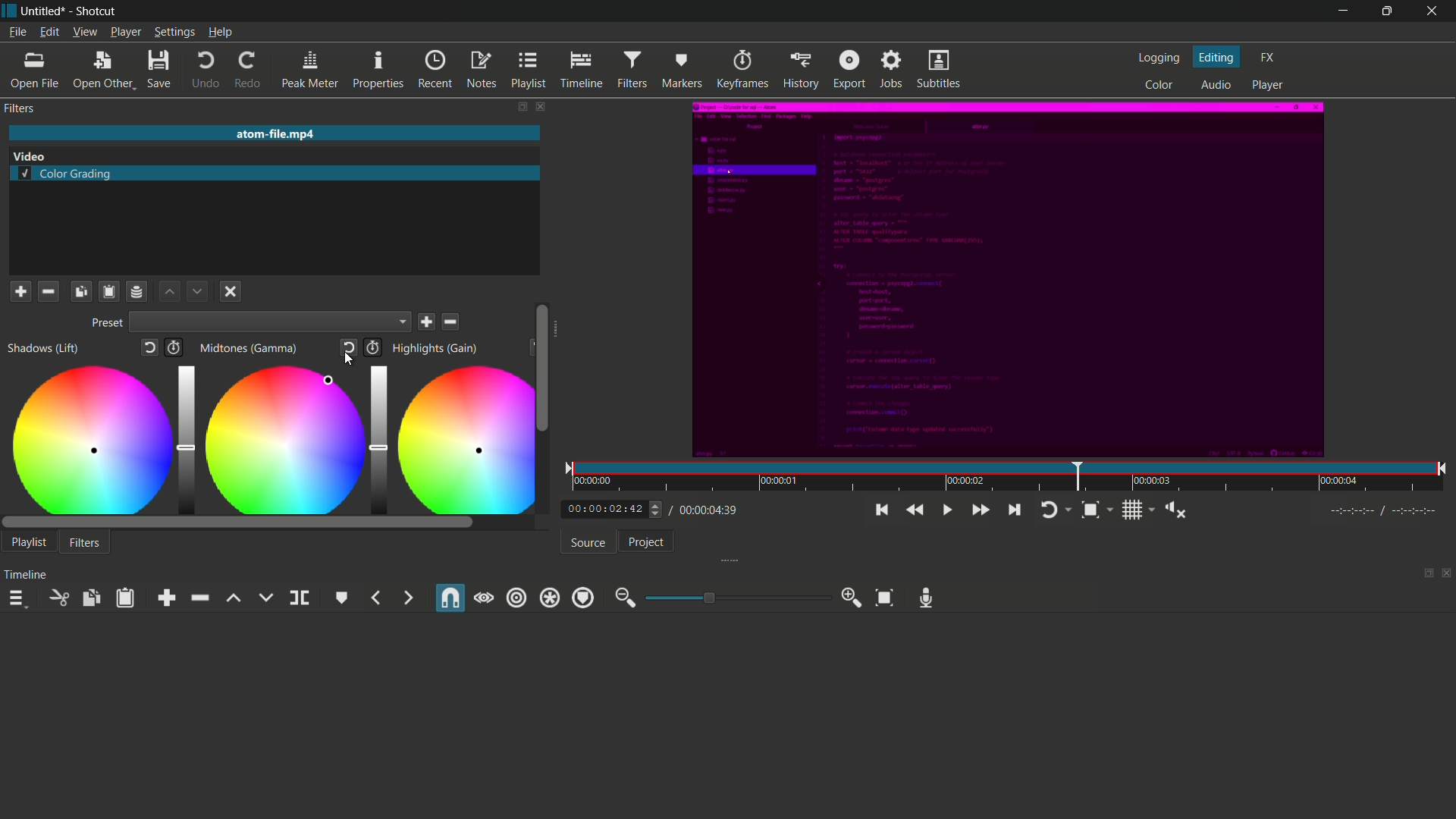 This screenshot has height=819, width=1456. Describe the element at coordinates (538, 106) in the screenshot. I see `close filter` at that location.